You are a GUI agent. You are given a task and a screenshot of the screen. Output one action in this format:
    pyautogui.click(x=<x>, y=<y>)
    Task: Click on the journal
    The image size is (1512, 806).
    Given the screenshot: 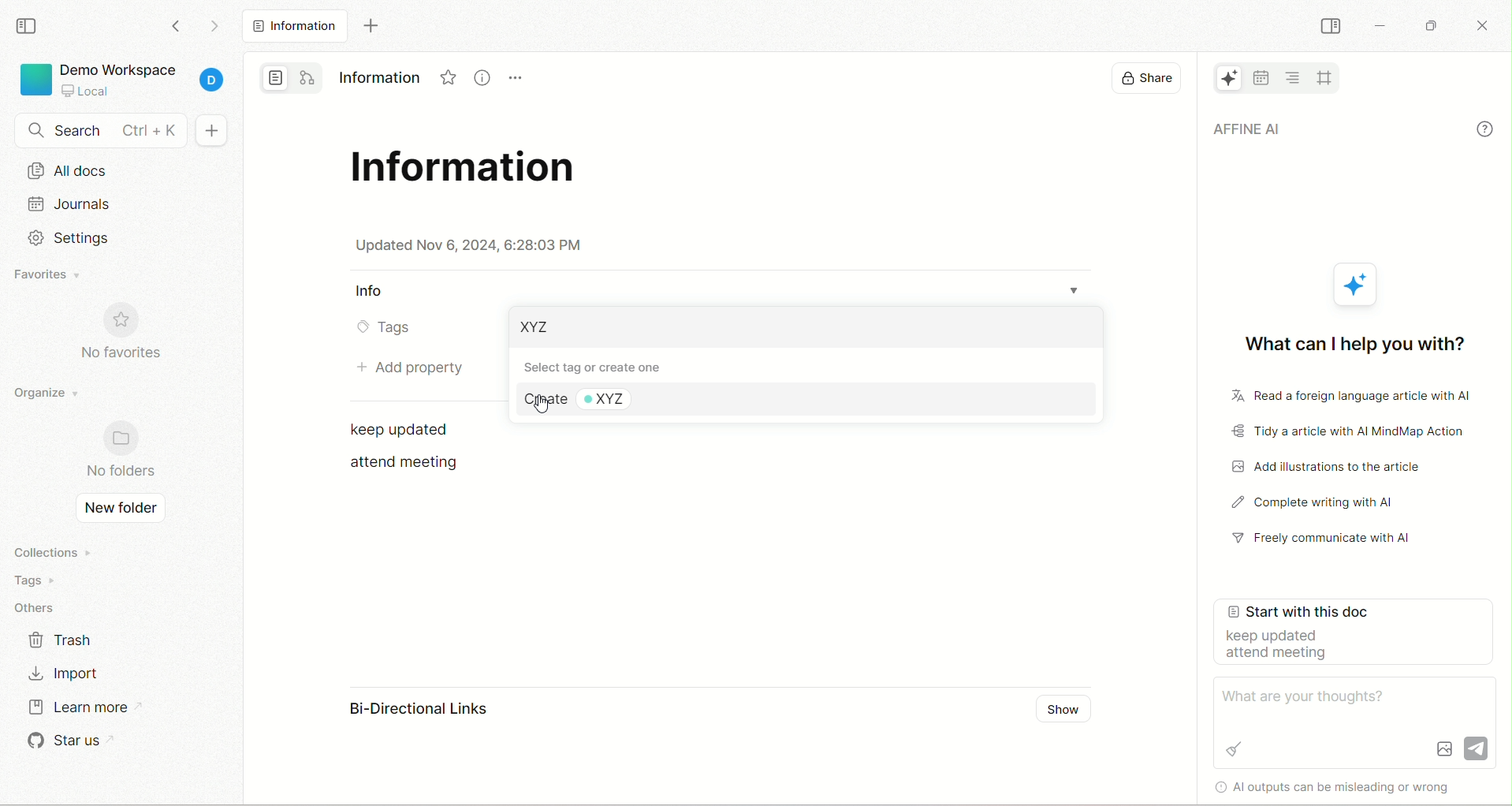 What is the action you would take?
    pyautogui.click(x=122, y=208)
    